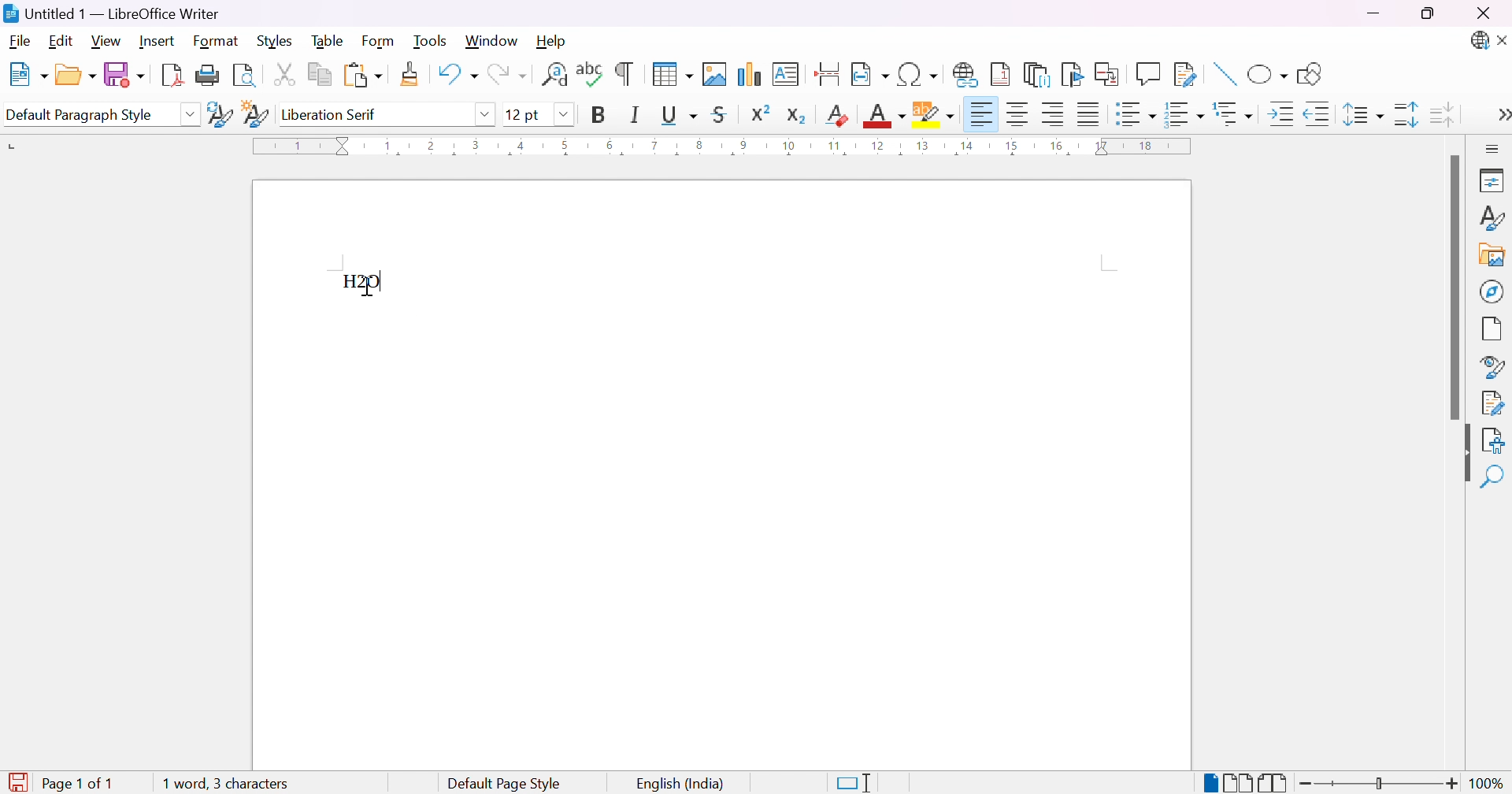  What do you see at coordinates (672, 73) in the screenshot?
I see `Insert table` at bounding box center [672, 73].